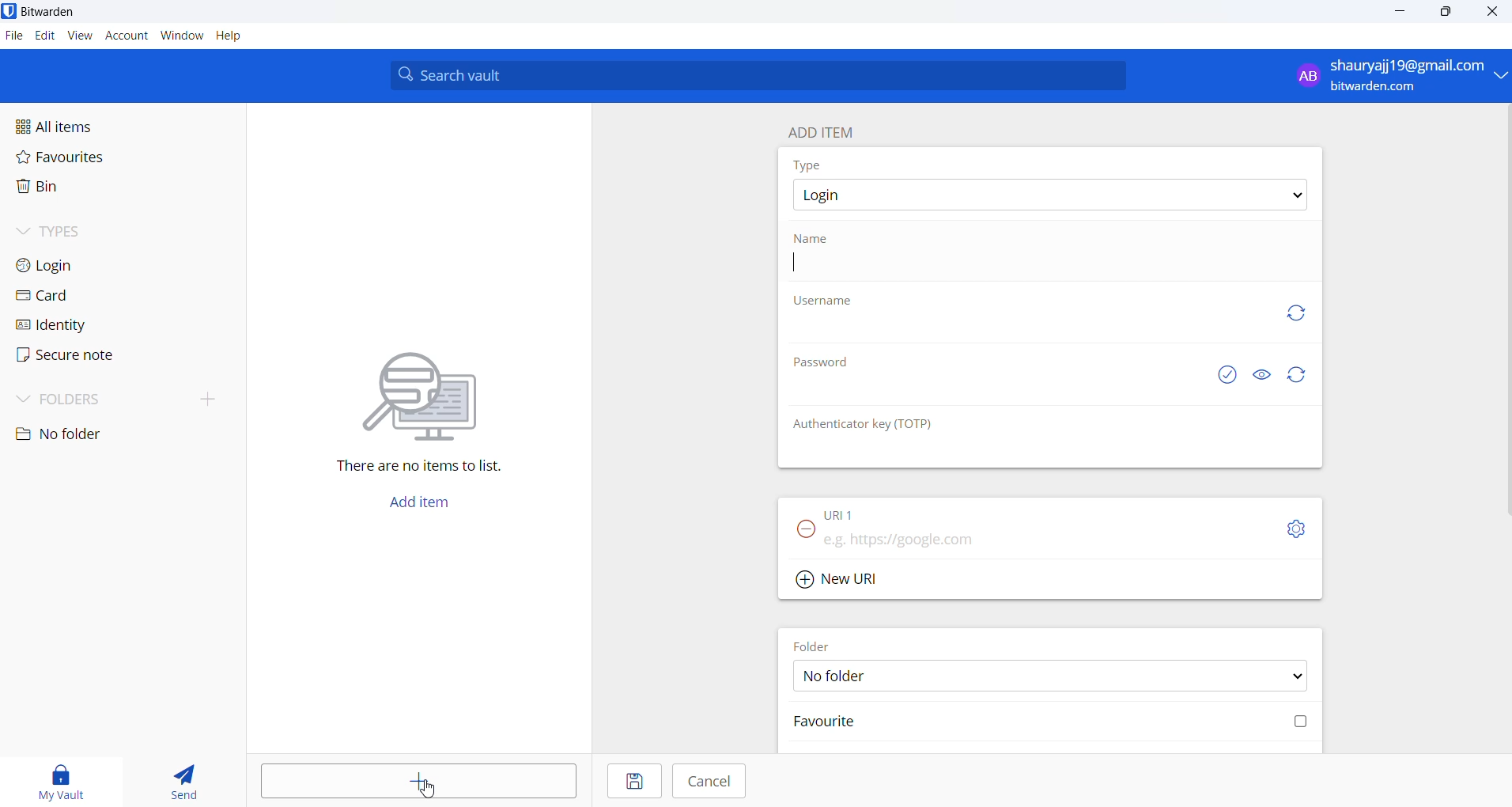 The height and width of the screenshot is (807, 1512). Describe the element at coordinates (807, 532) in the screenshot. I see `remove URL` at that location.